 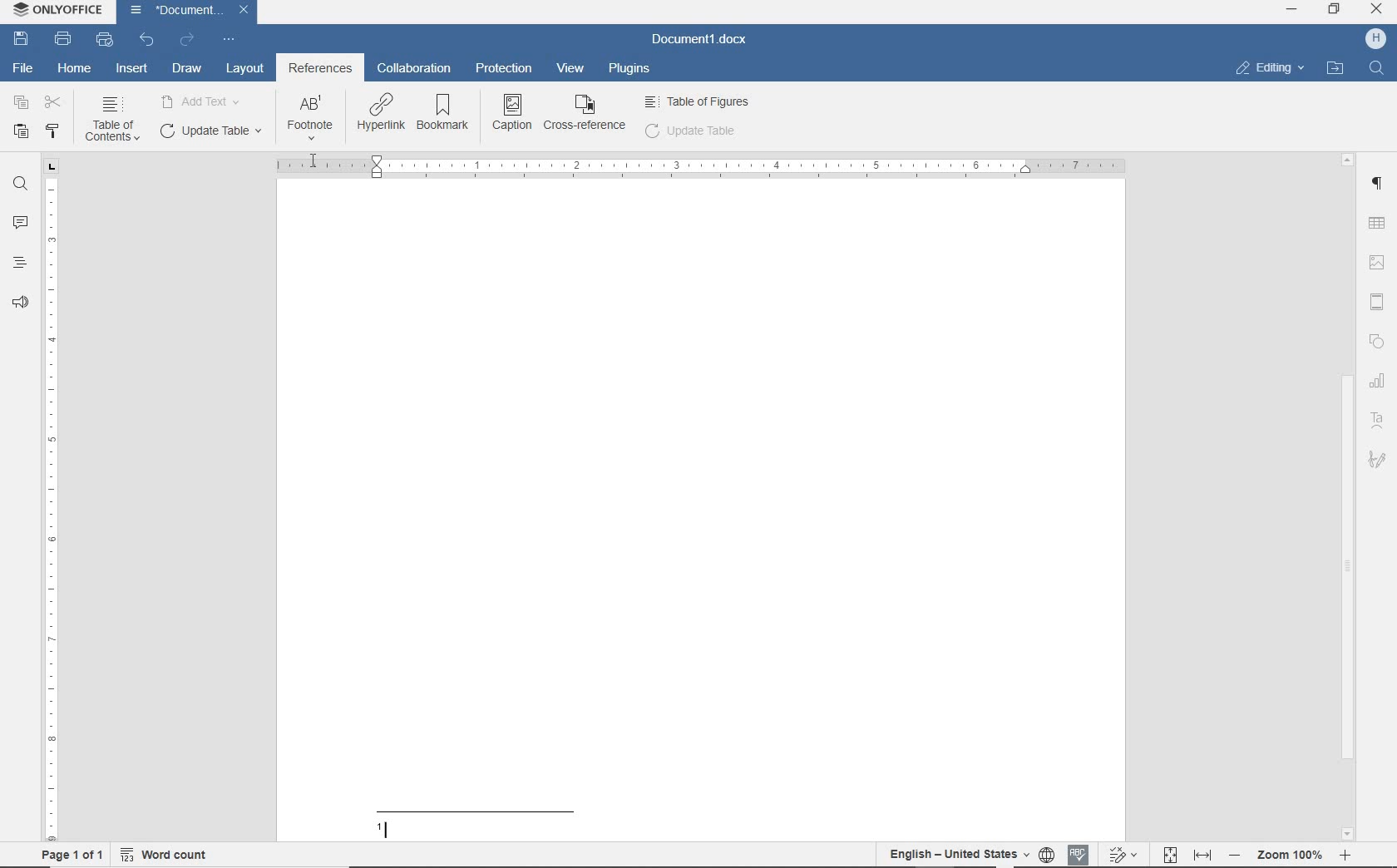 What do you see at coordinates (1377, 70) in the screenshot?
I see `find` at bounding box center [1377, 70].